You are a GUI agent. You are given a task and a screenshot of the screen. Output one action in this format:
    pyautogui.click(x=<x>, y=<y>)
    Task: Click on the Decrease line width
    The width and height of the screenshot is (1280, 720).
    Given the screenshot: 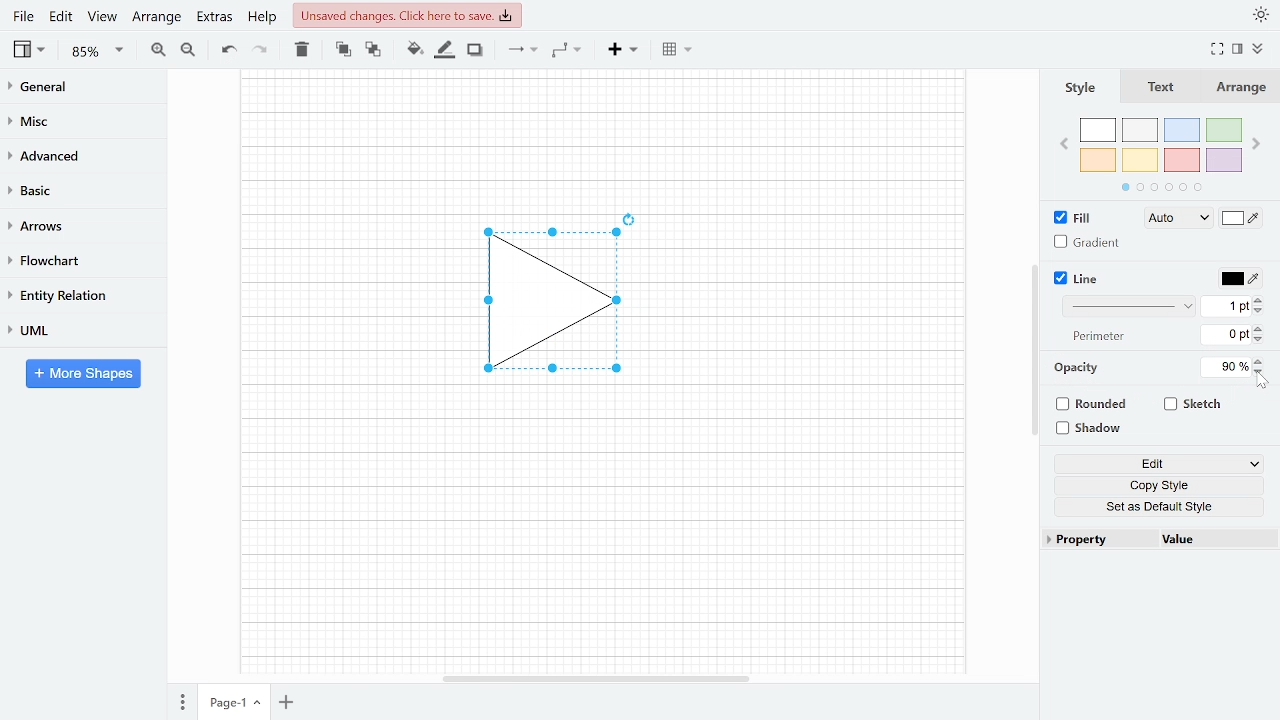 What is the action you would take?
    pyautogui.click(x=1261, y=310)
    